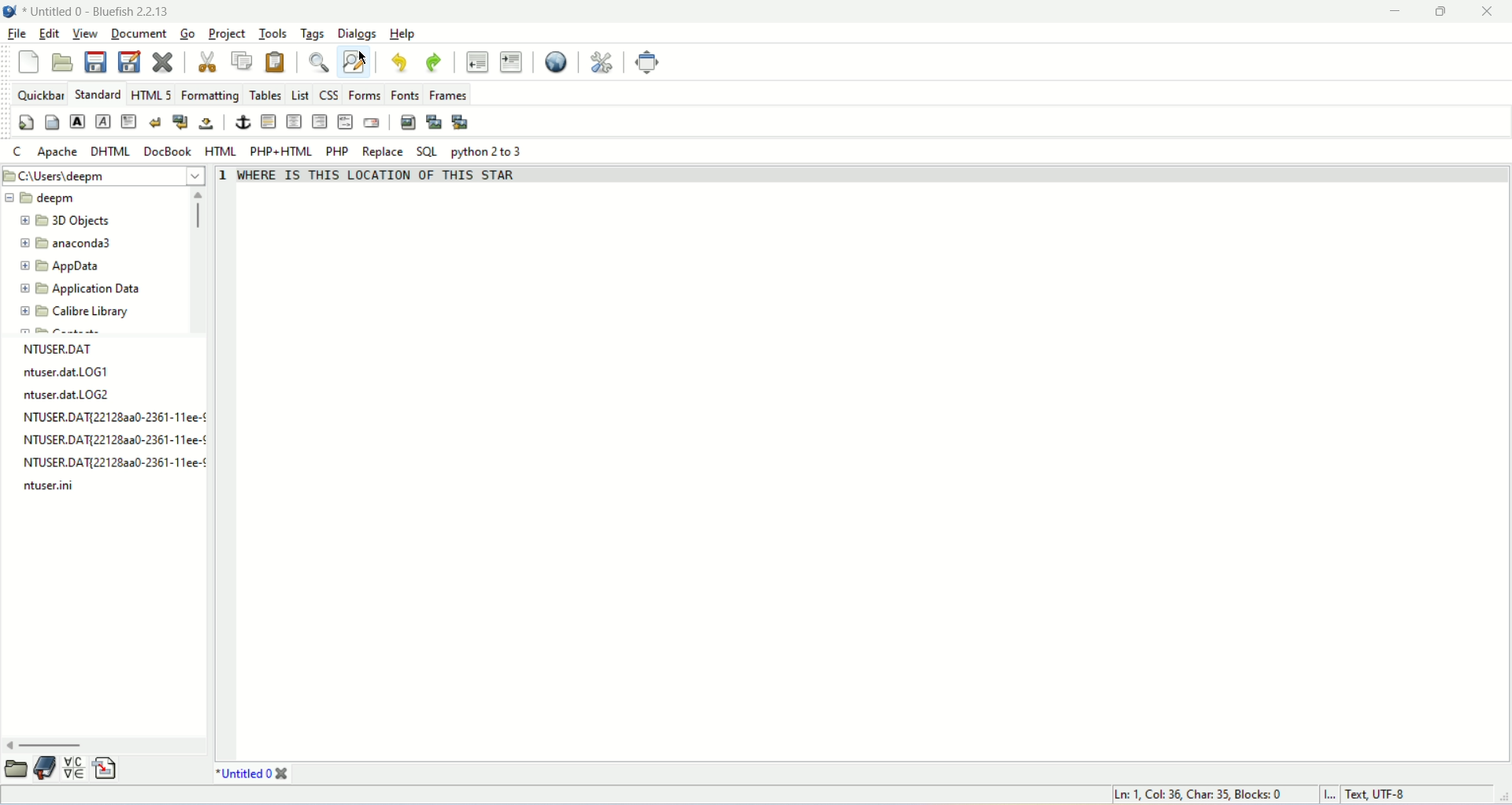 This screenshot has width=1512, height=805. What do you see at coordinates (209, 96) in the screenshot?
I see `formatting` at bounding box center [209, 96].